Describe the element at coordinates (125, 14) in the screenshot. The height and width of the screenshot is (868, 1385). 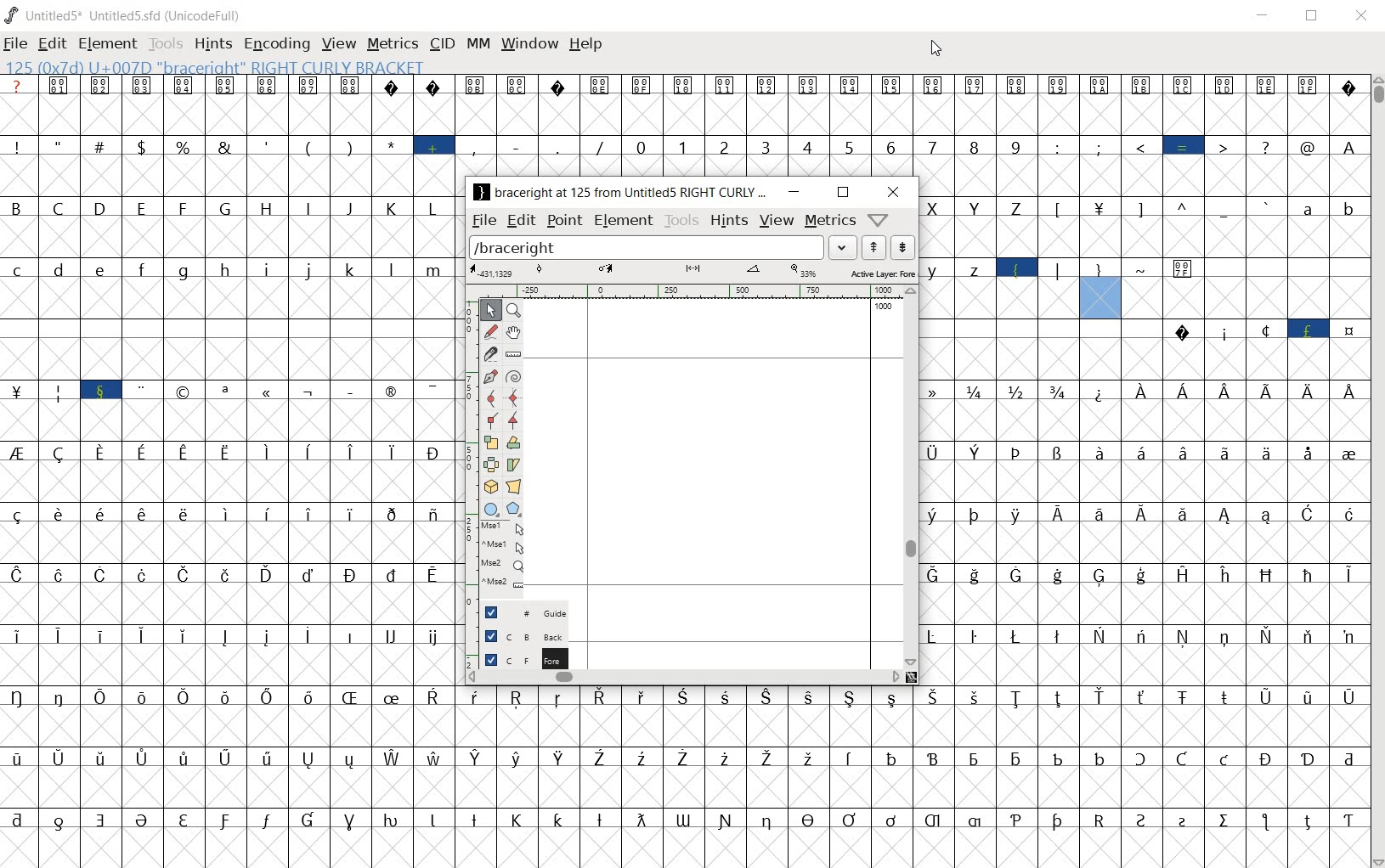
I see `Untitled5* Untitled5.sfd (UnicodeFull)` at that location.